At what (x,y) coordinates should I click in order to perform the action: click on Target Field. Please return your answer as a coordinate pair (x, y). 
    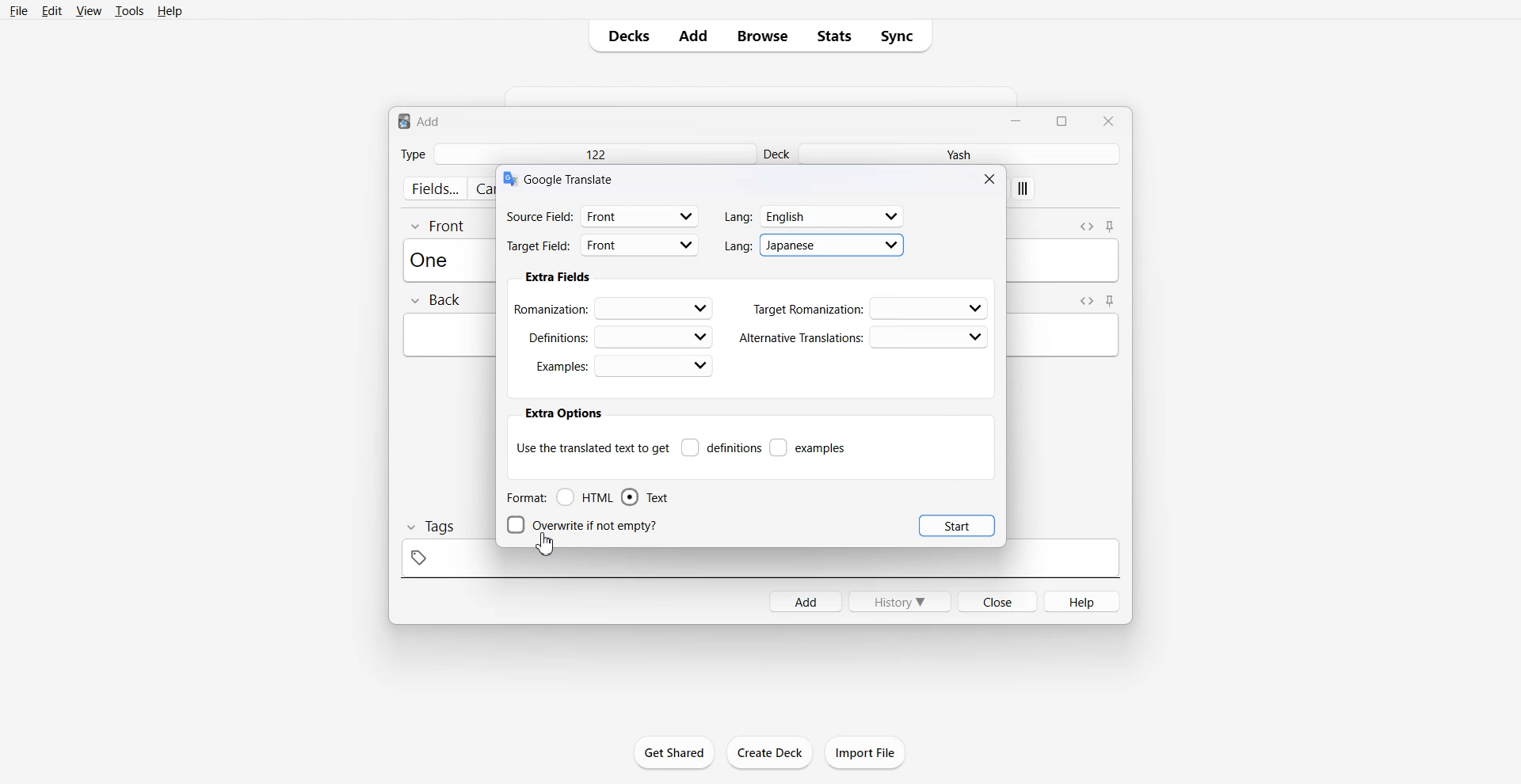
    Looking at the image, I should click on (603, 247).